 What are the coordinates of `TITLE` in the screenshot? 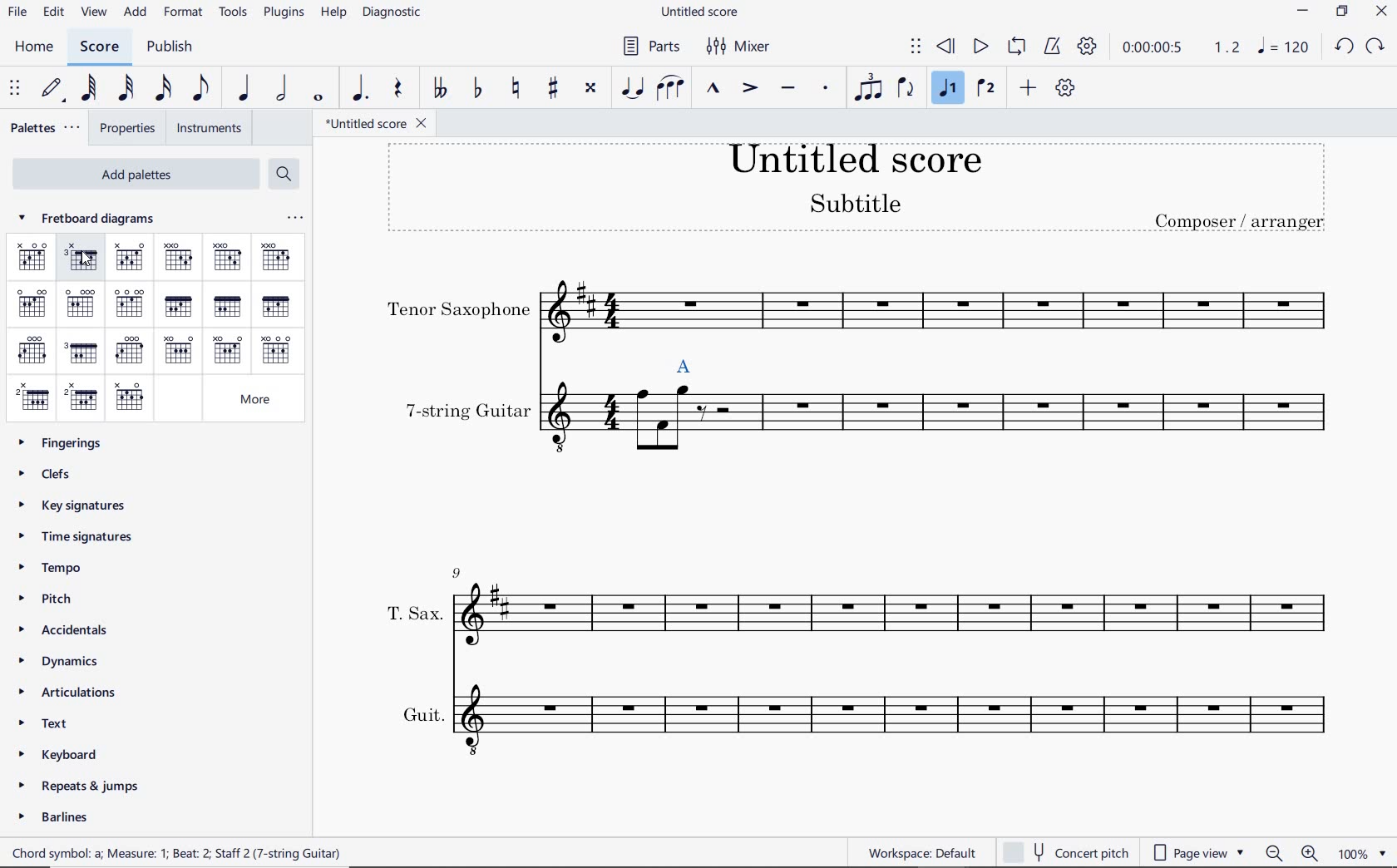 It's located at (863, 192).